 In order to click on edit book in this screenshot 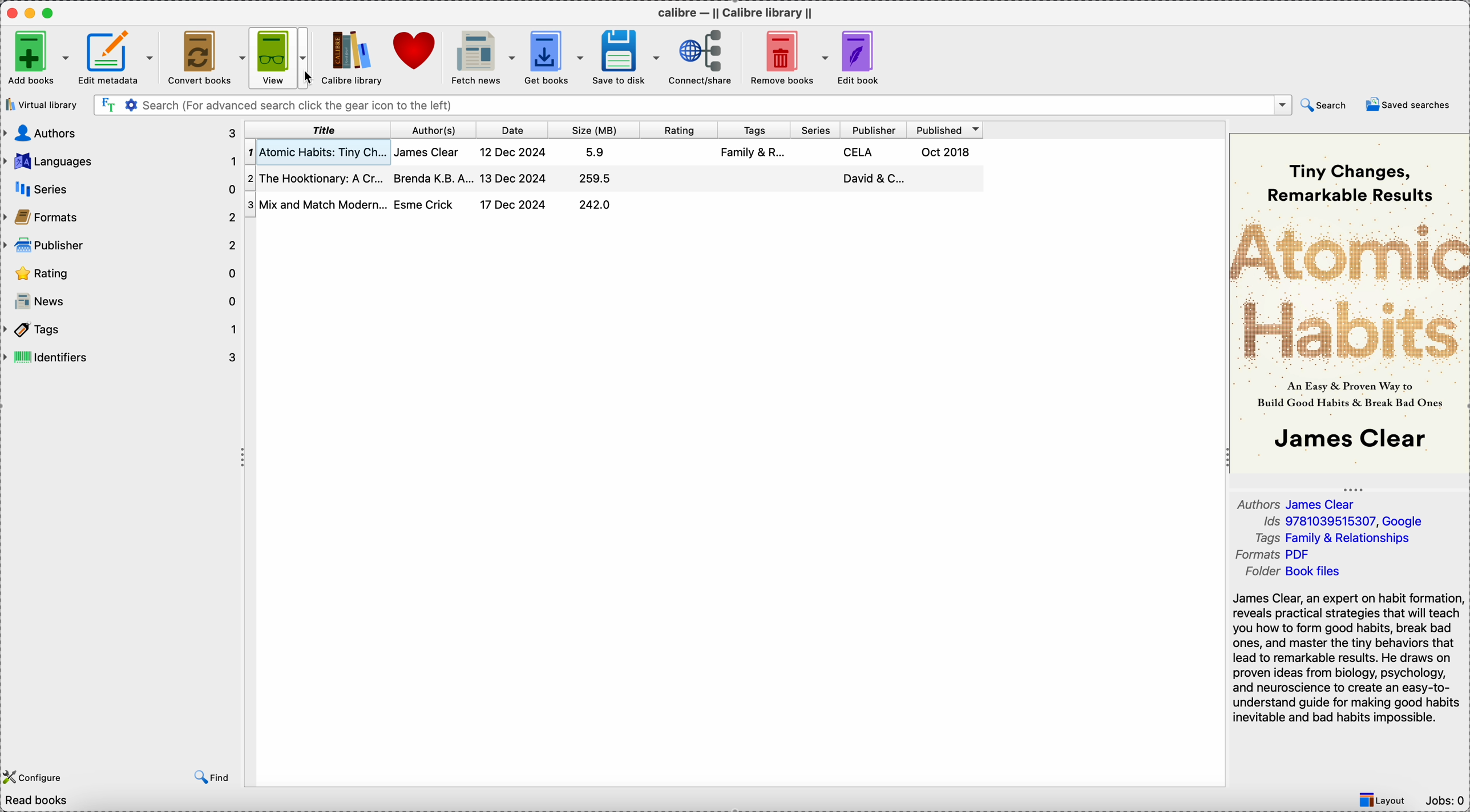, I will do `click(860, 56)`.